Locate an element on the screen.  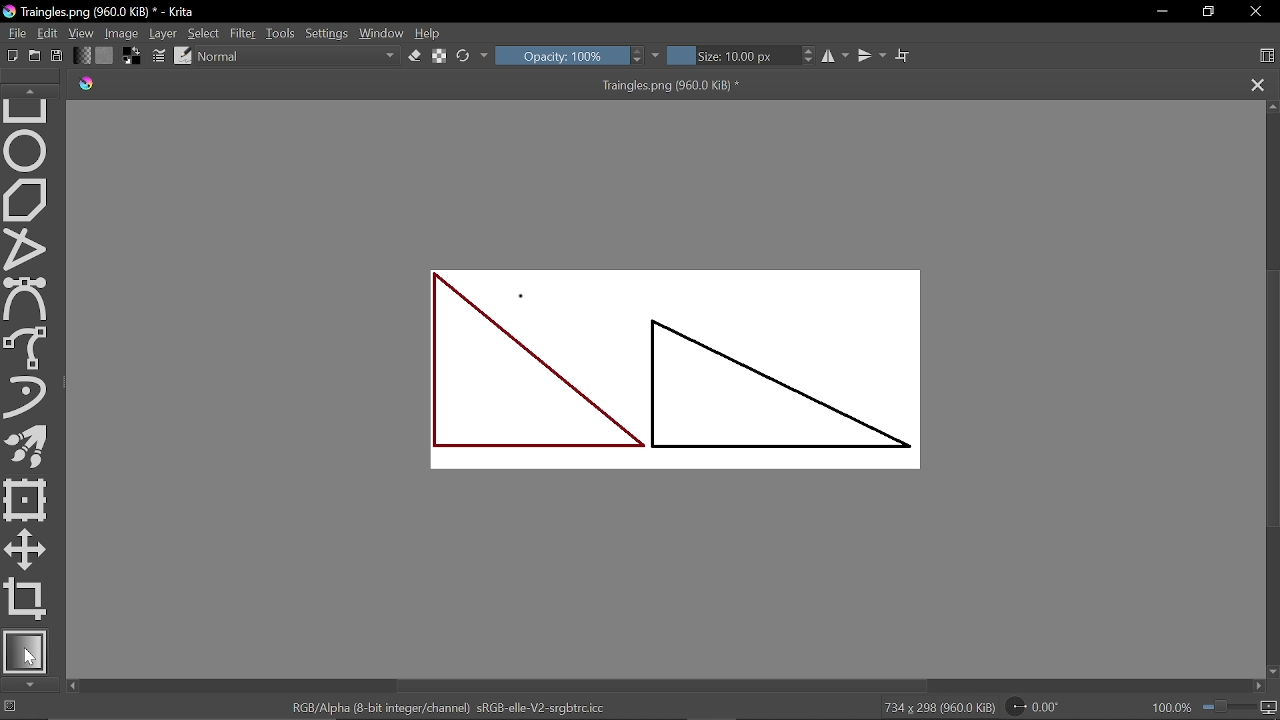
Filter is located at coordinates (244, 32).